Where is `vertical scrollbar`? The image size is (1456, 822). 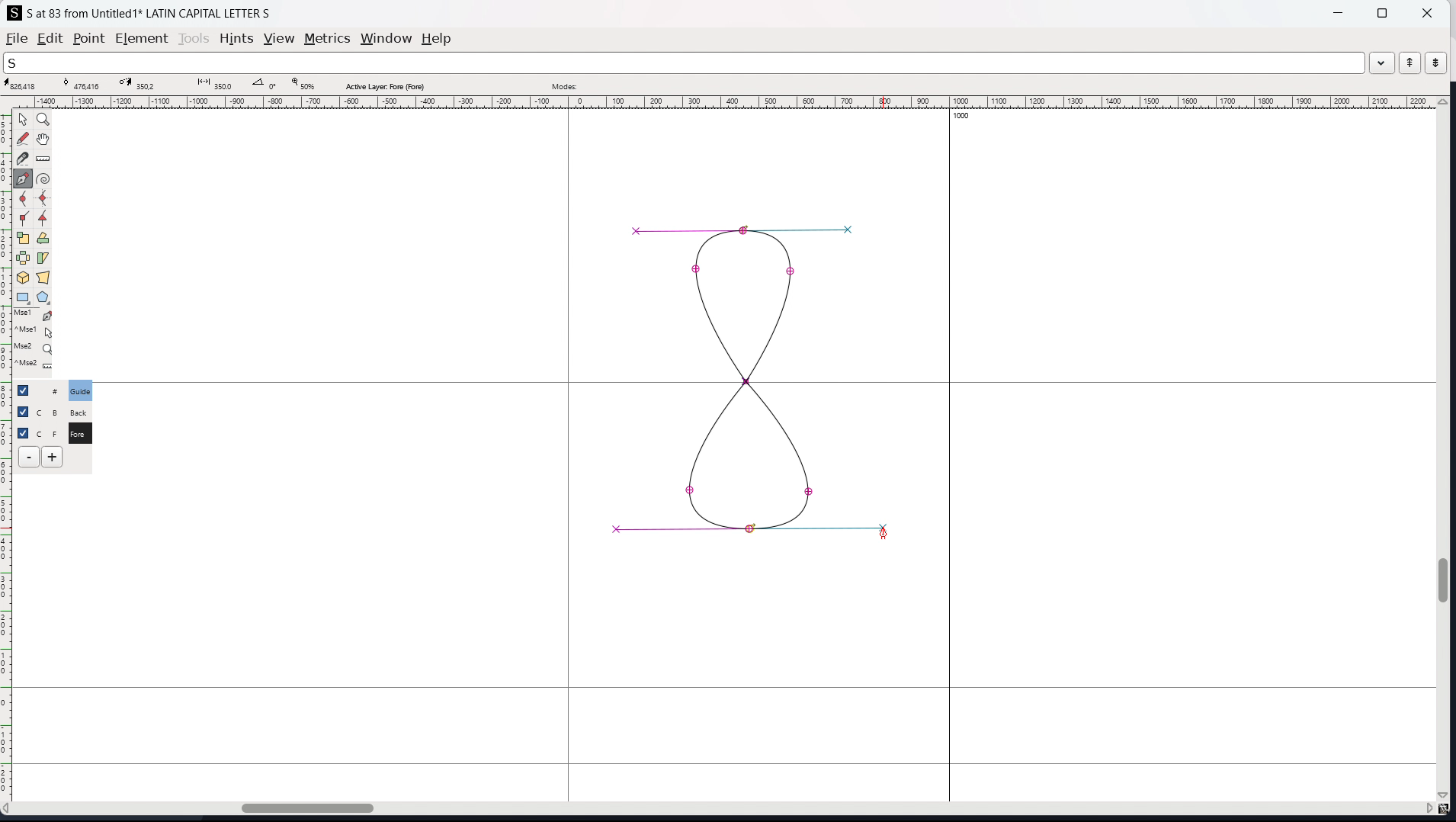
vertical scrollbar is located at coordinates (1446, 450).